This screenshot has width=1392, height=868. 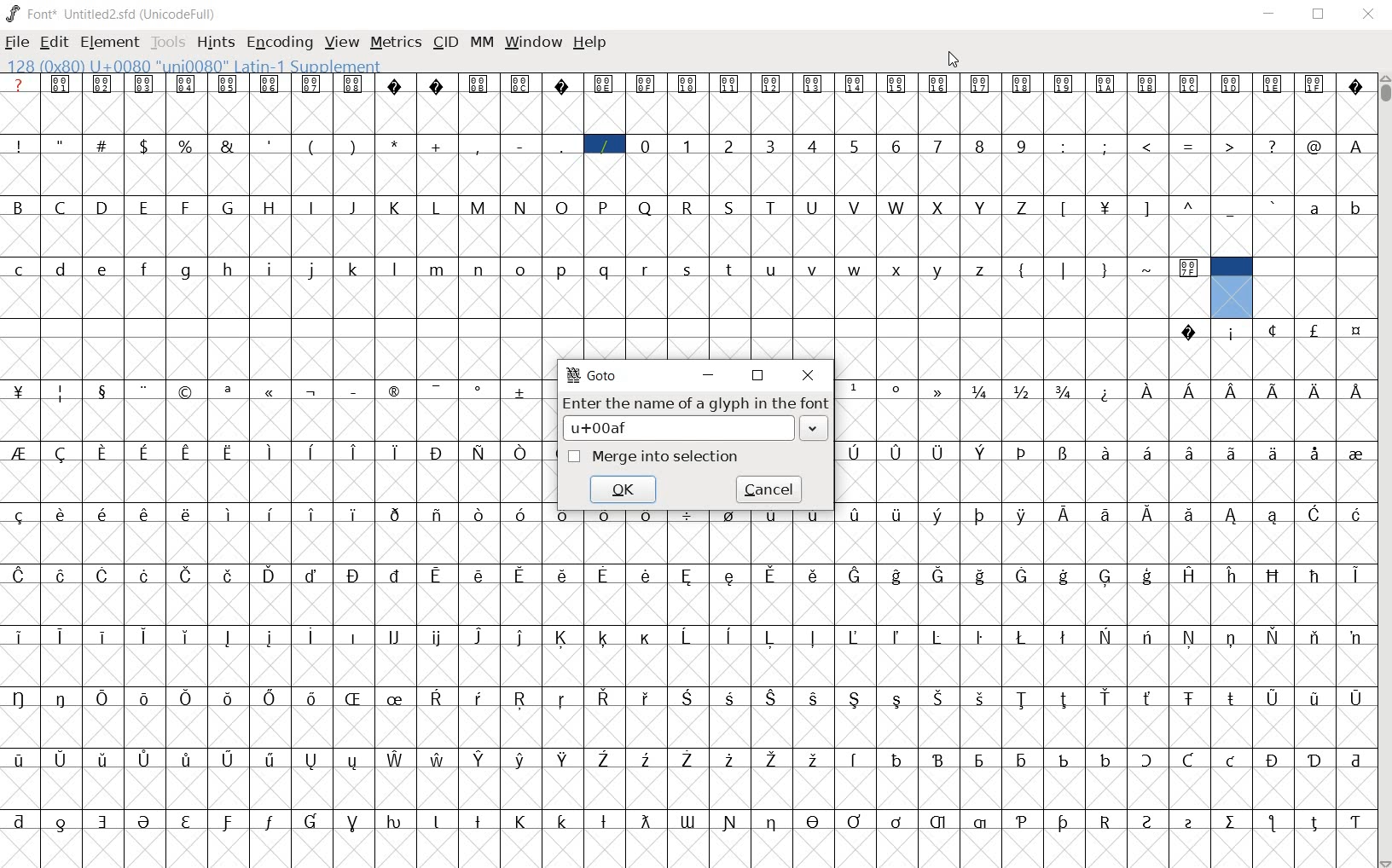 What do you see at coordinates (1315, 389) in the screenshot?
I see `Symbol` at bounding box center [1315, 389].